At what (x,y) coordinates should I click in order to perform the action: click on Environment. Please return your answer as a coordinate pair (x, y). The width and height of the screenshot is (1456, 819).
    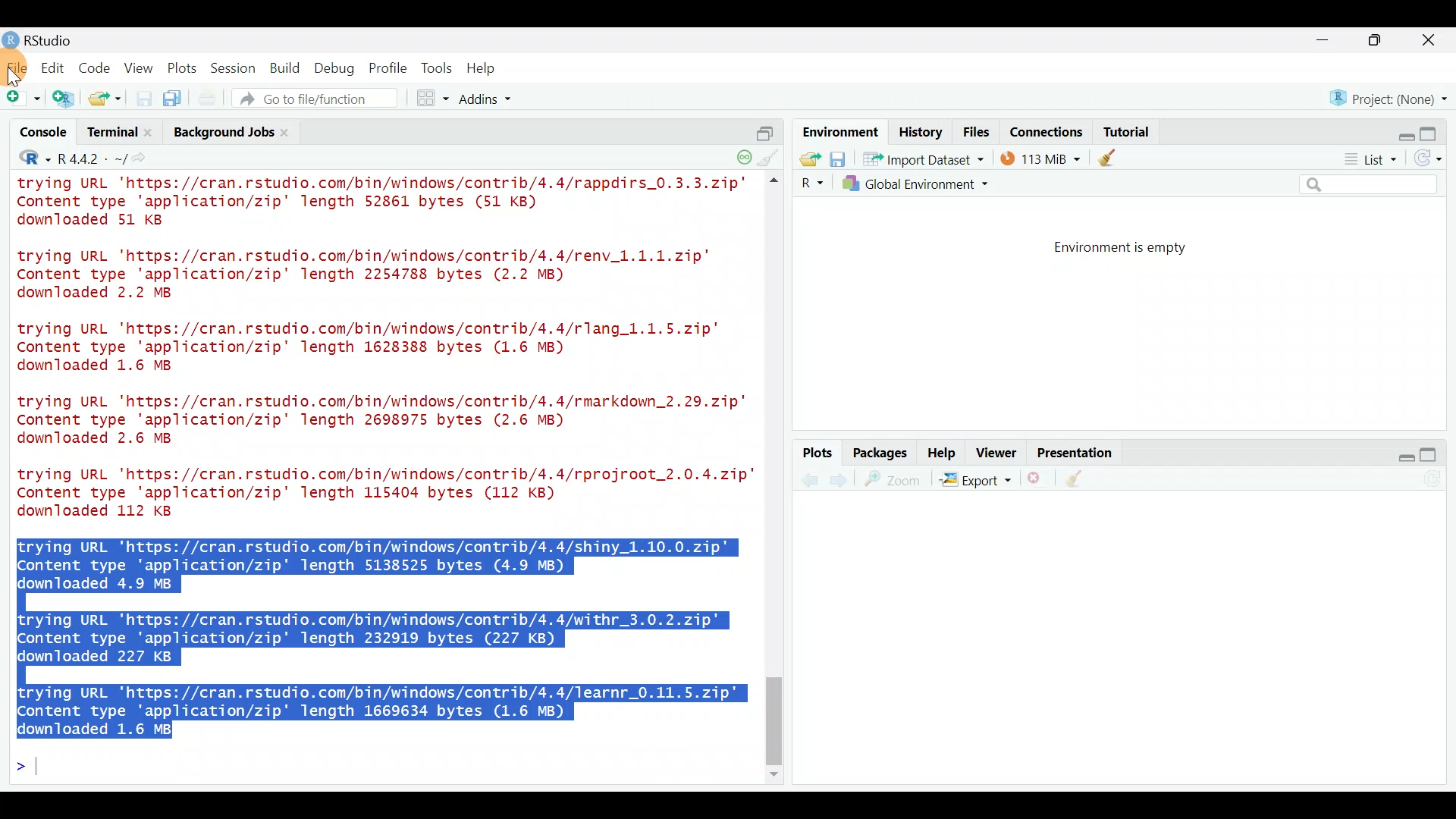
    Looking at the image, I should click on (838, 131).